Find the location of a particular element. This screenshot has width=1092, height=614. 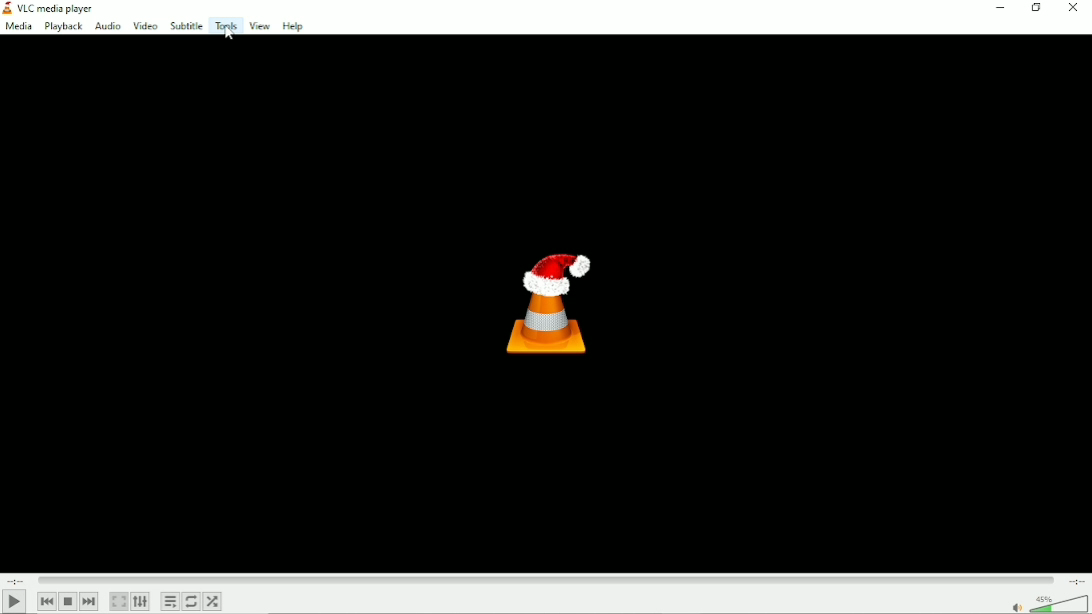

help is located at coordinates (291, 27).